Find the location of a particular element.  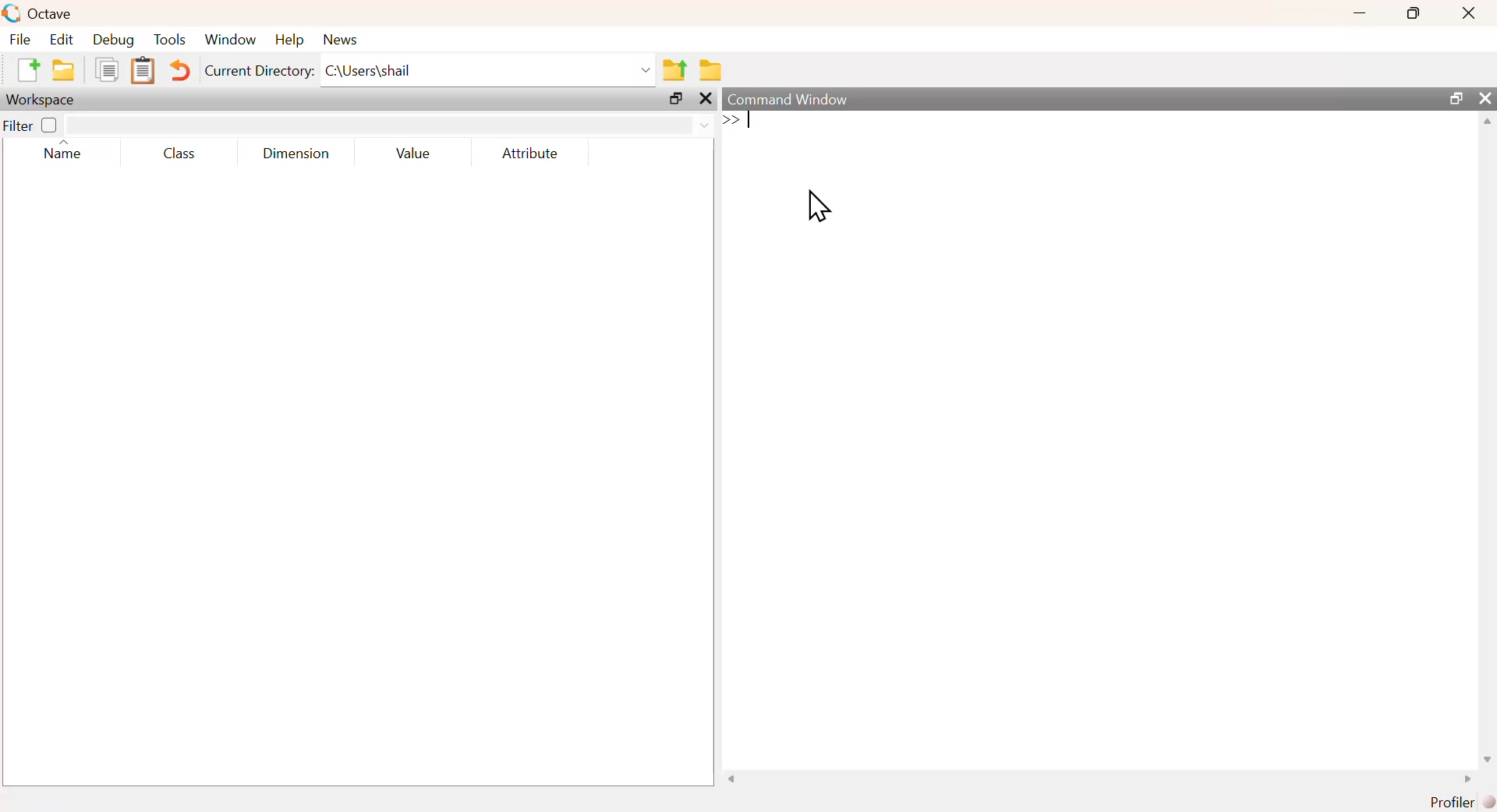

Dimension is located at coordinates (298, 154).